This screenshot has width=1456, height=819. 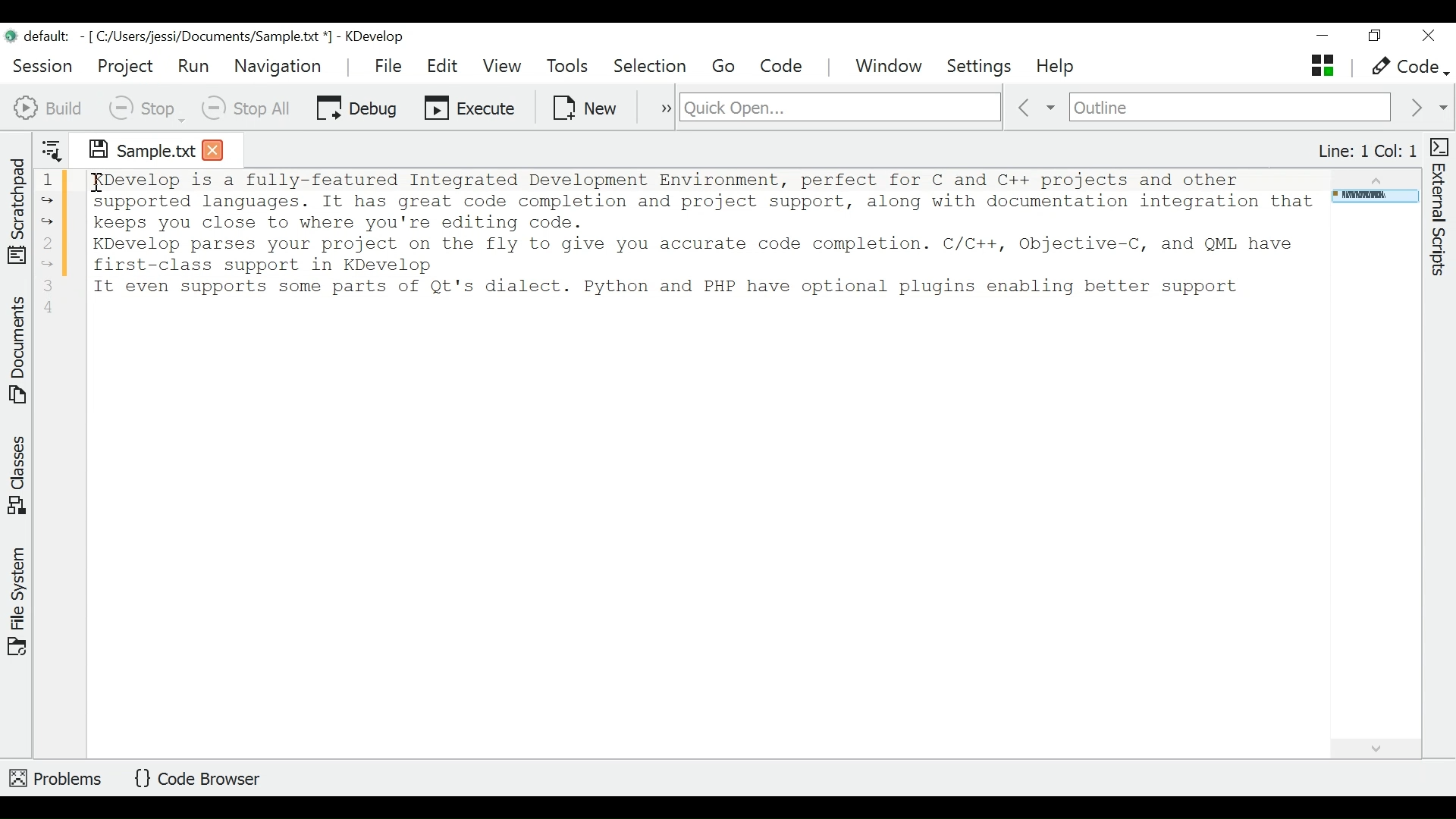 What do you see at coordinates (1442, 208) in the screenshot?
I see `External Scripts` at bounding box center [1442, 208].